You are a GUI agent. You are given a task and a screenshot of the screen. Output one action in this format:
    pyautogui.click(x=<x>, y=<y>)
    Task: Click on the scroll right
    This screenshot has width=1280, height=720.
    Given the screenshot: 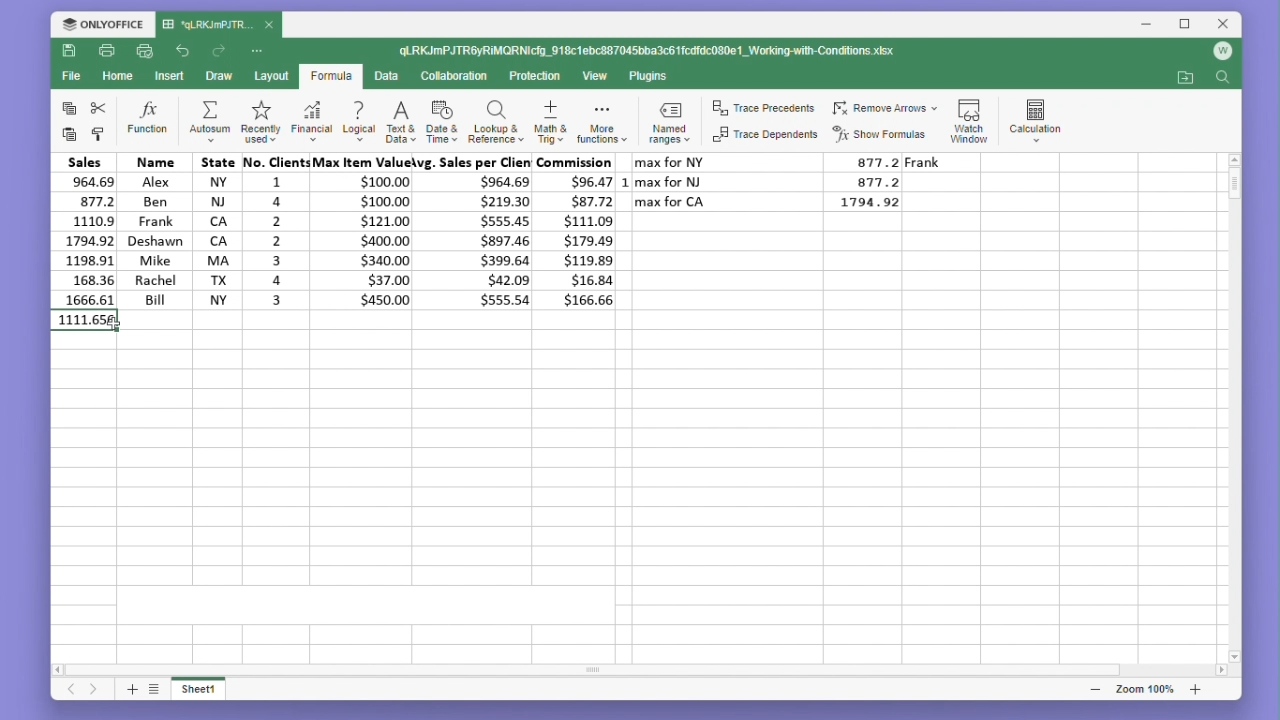 What is the action you would take?
    pyautogui.click(x=1222, y=671)
    